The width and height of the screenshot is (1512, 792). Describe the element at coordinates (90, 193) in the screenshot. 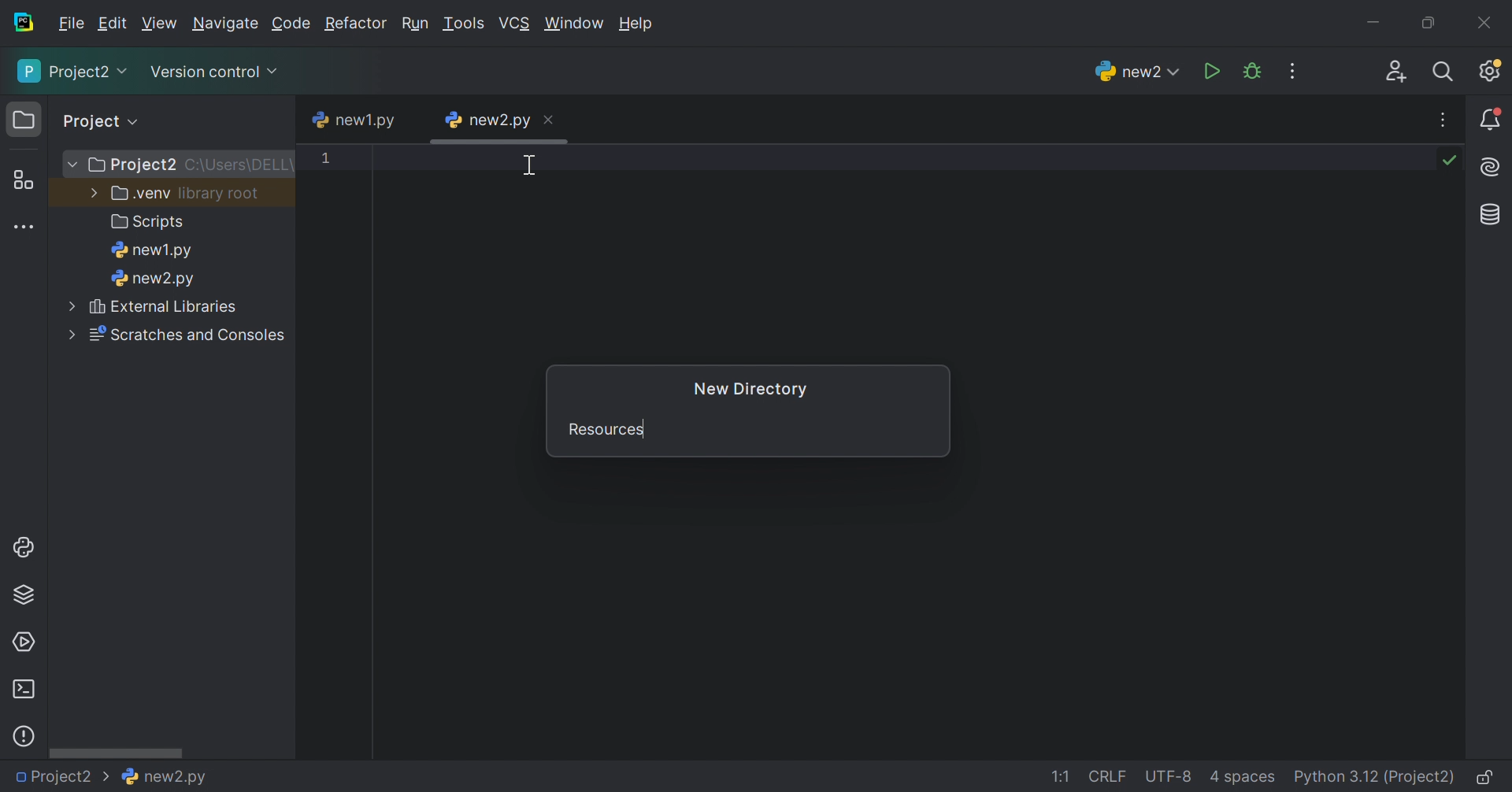

I see `More` at that location.